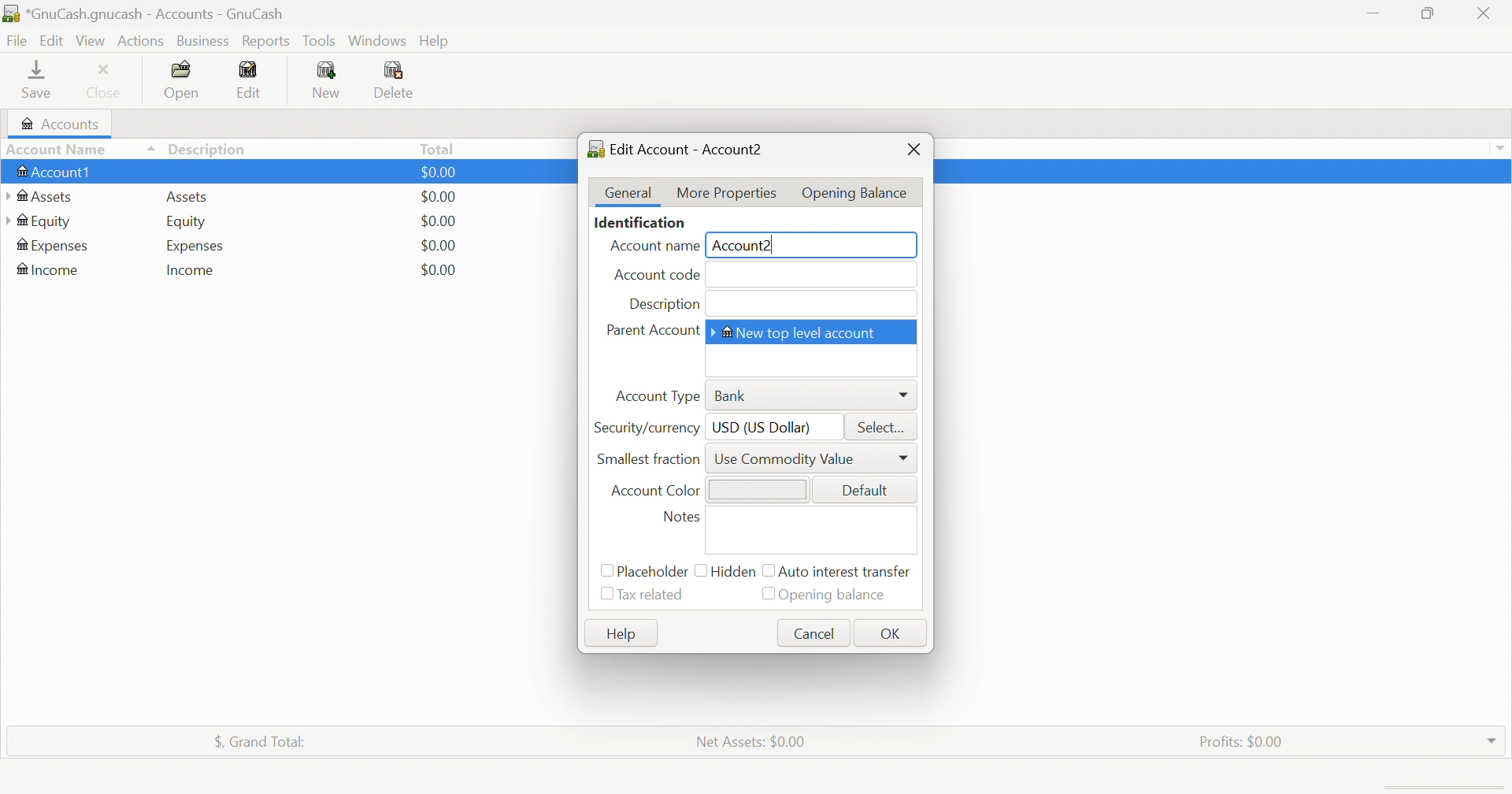 The height and width of the screenshot is (794, 1512). I want to click on Account code, so click(658, 275).